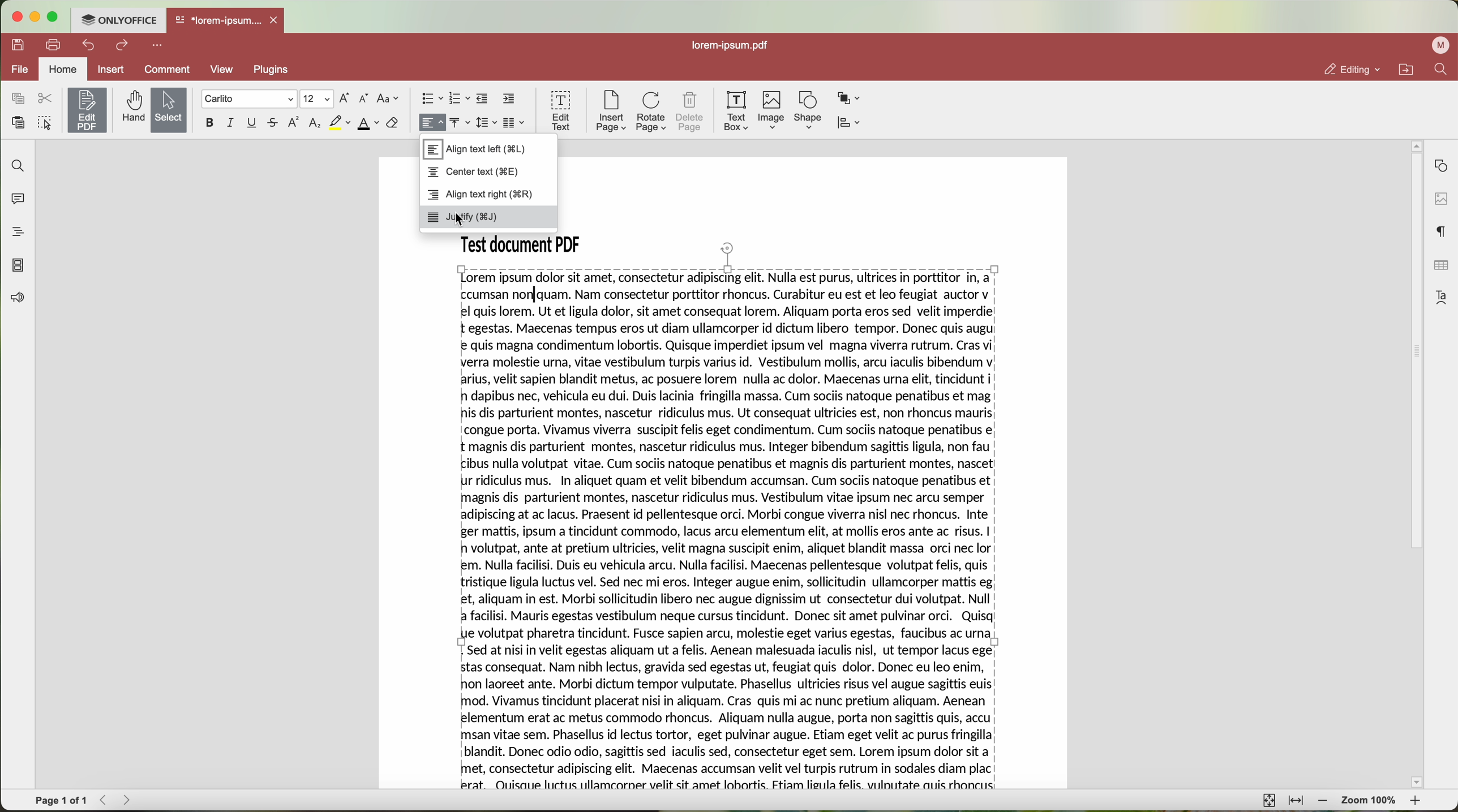 The image size is (1458, 812). I want to click on vertical align, so click(458, 121).